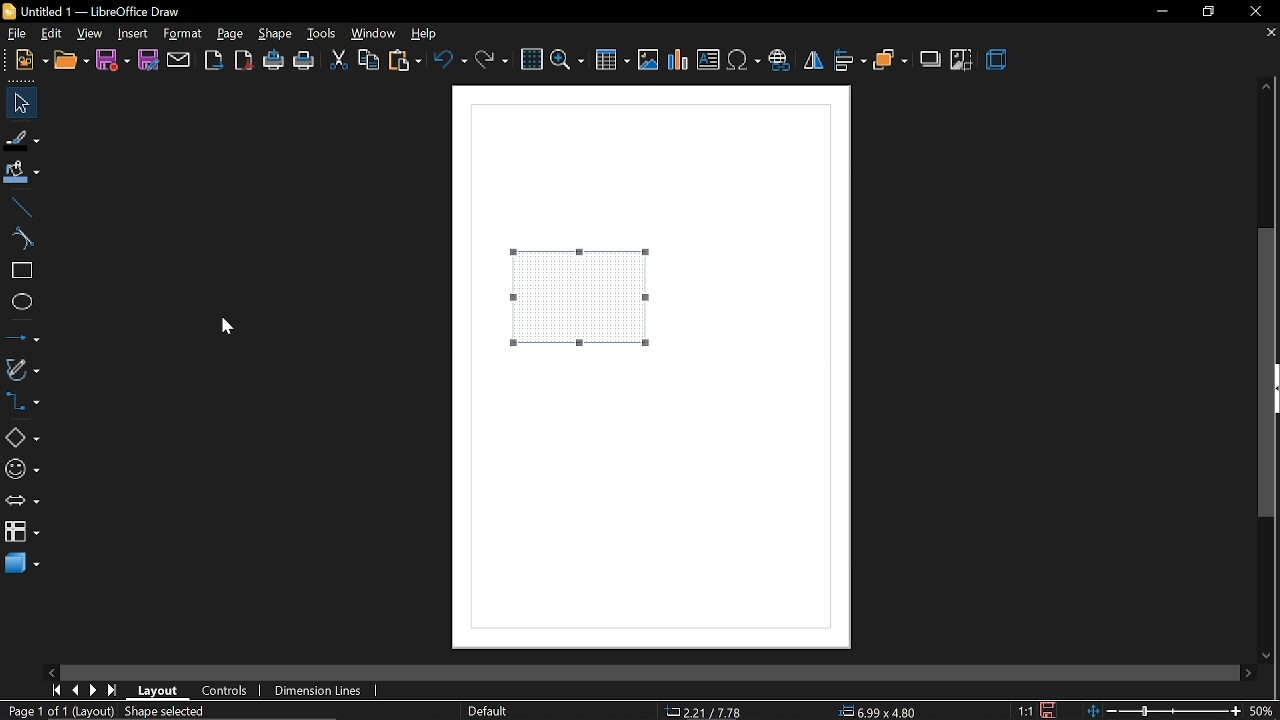 The image size is (1280, 720). I want to click on restore down, so click(1210, 12).